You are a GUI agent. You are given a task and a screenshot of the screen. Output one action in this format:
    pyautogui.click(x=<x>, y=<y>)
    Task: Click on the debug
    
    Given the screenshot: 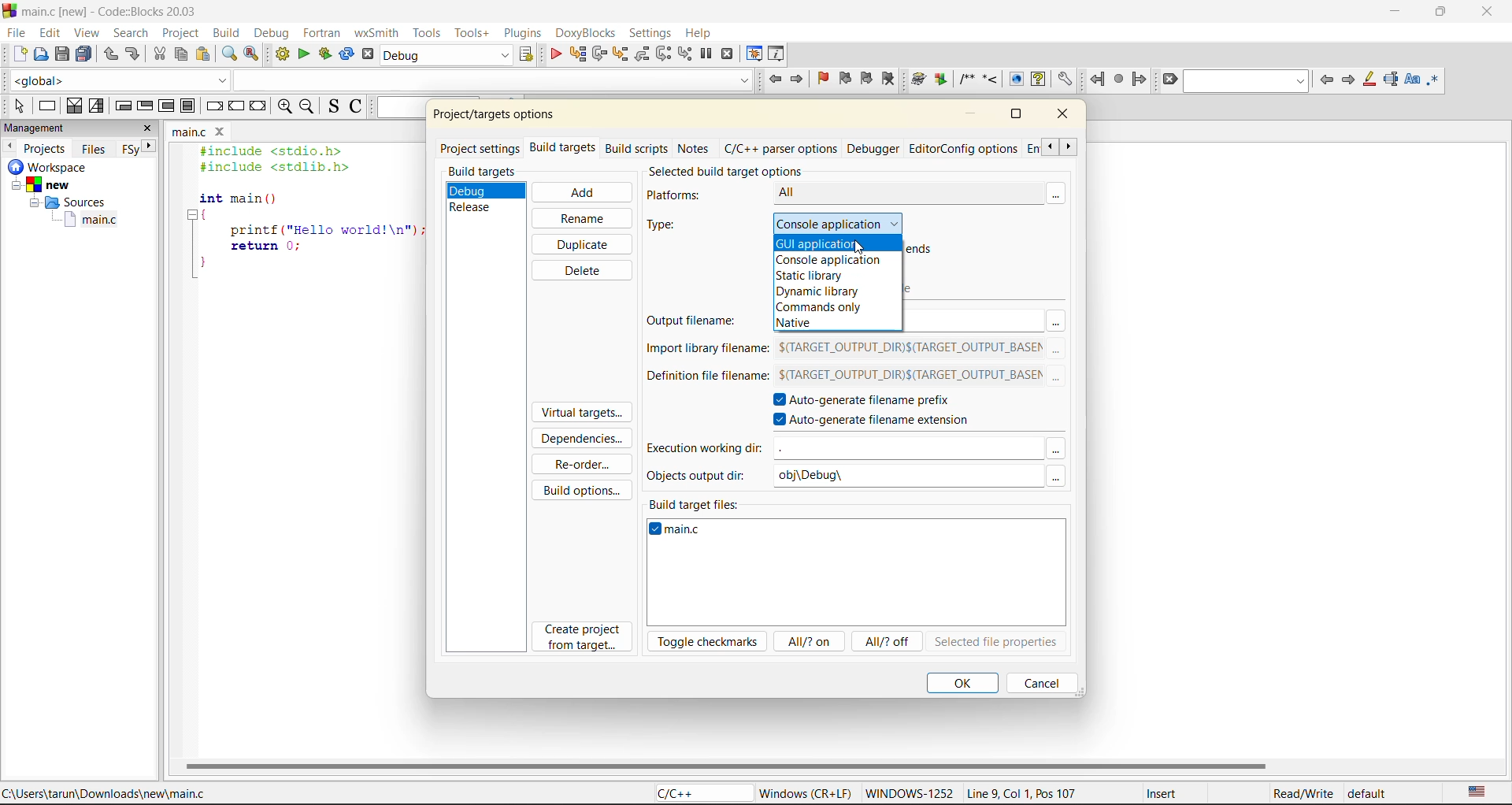 What is the action you would take?
    pyautogui.click(x=554, y=54)
    